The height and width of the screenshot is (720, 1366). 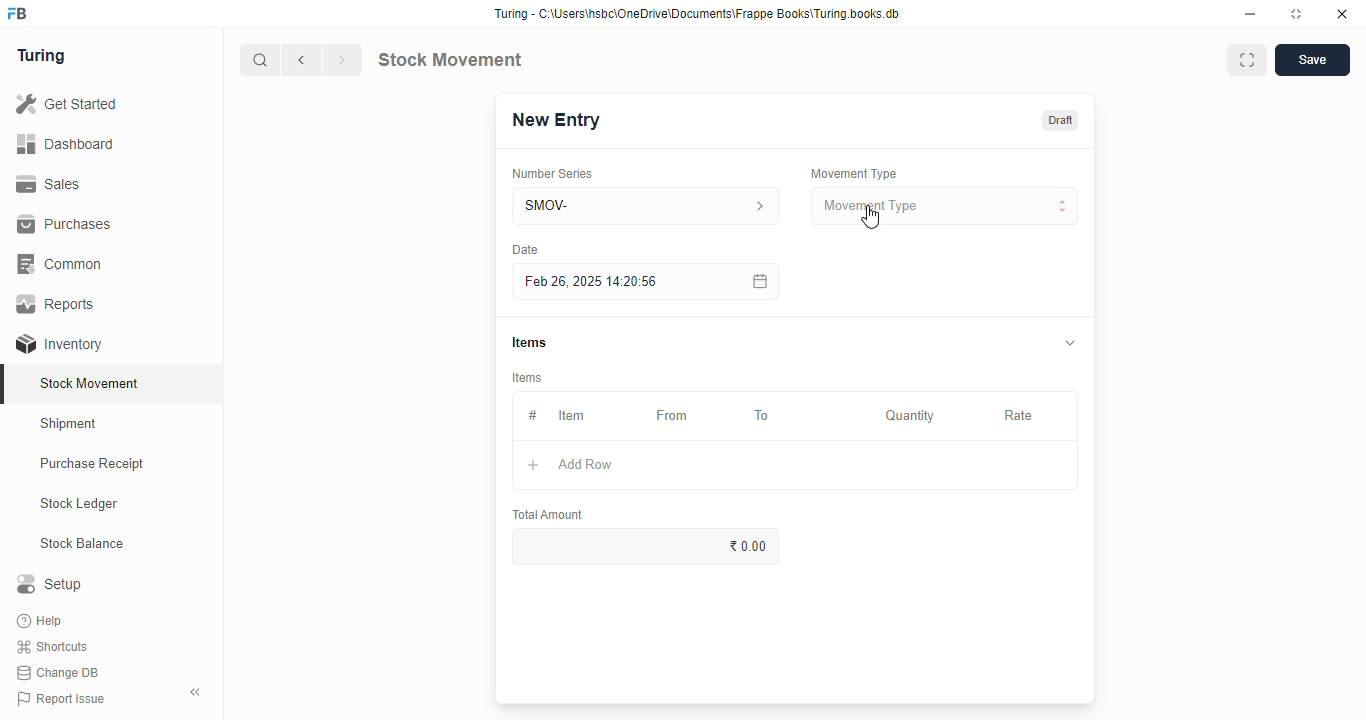 I want to click on toggle sidebar, so click(x=196, y=692).